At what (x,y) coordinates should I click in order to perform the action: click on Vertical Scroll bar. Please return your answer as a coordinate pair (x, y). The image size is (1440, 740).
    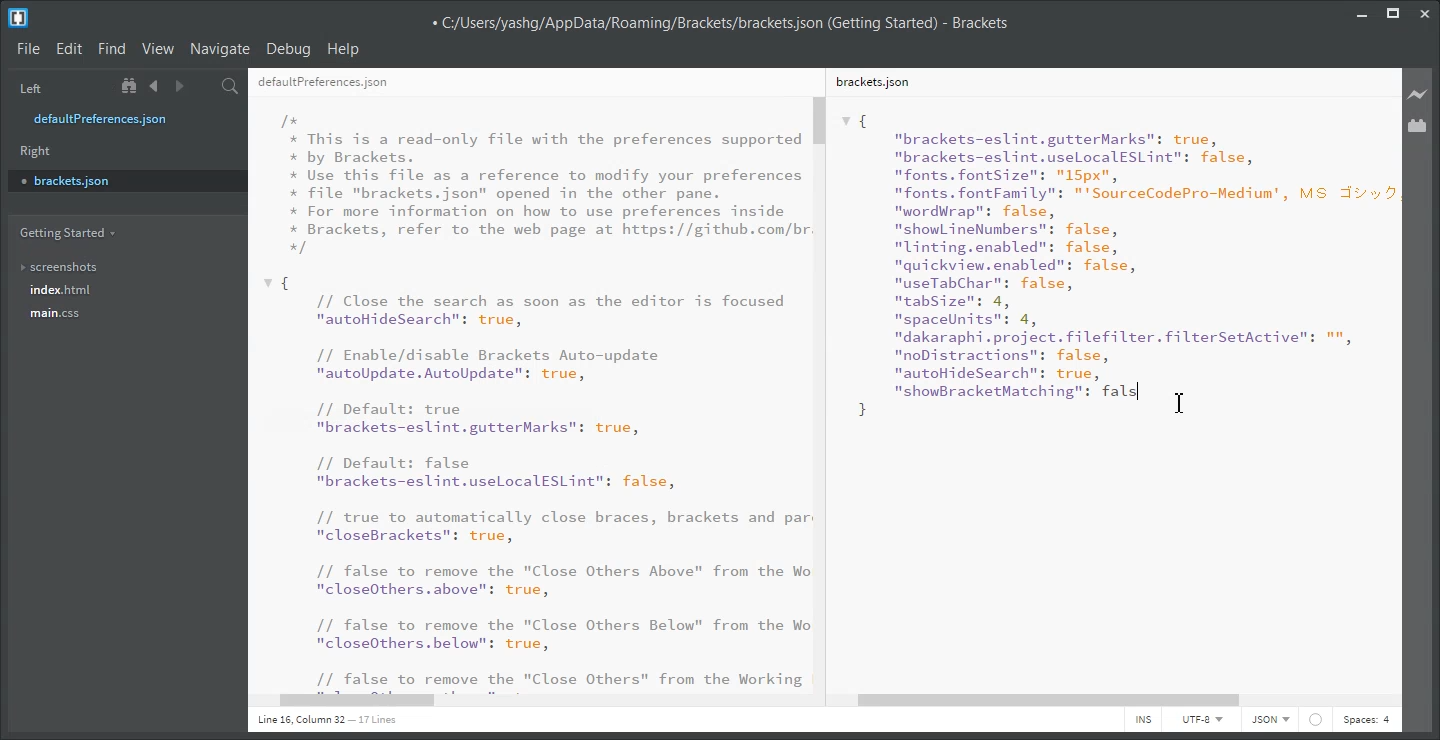
    Looking at the image, I should click on (823, 392).